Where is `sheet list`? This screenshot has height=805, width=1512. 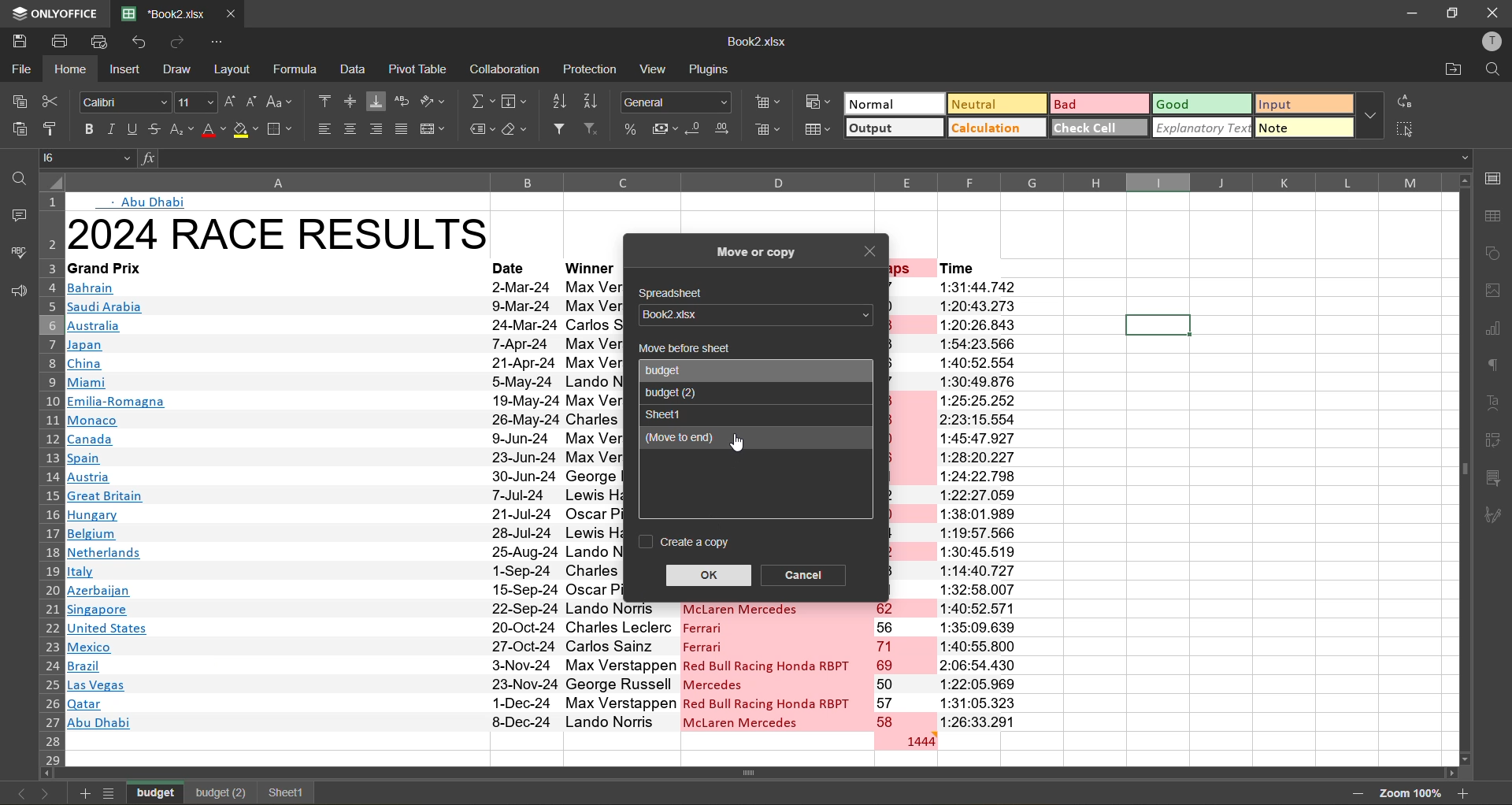 sheet list is located at coordinates (112, 793).